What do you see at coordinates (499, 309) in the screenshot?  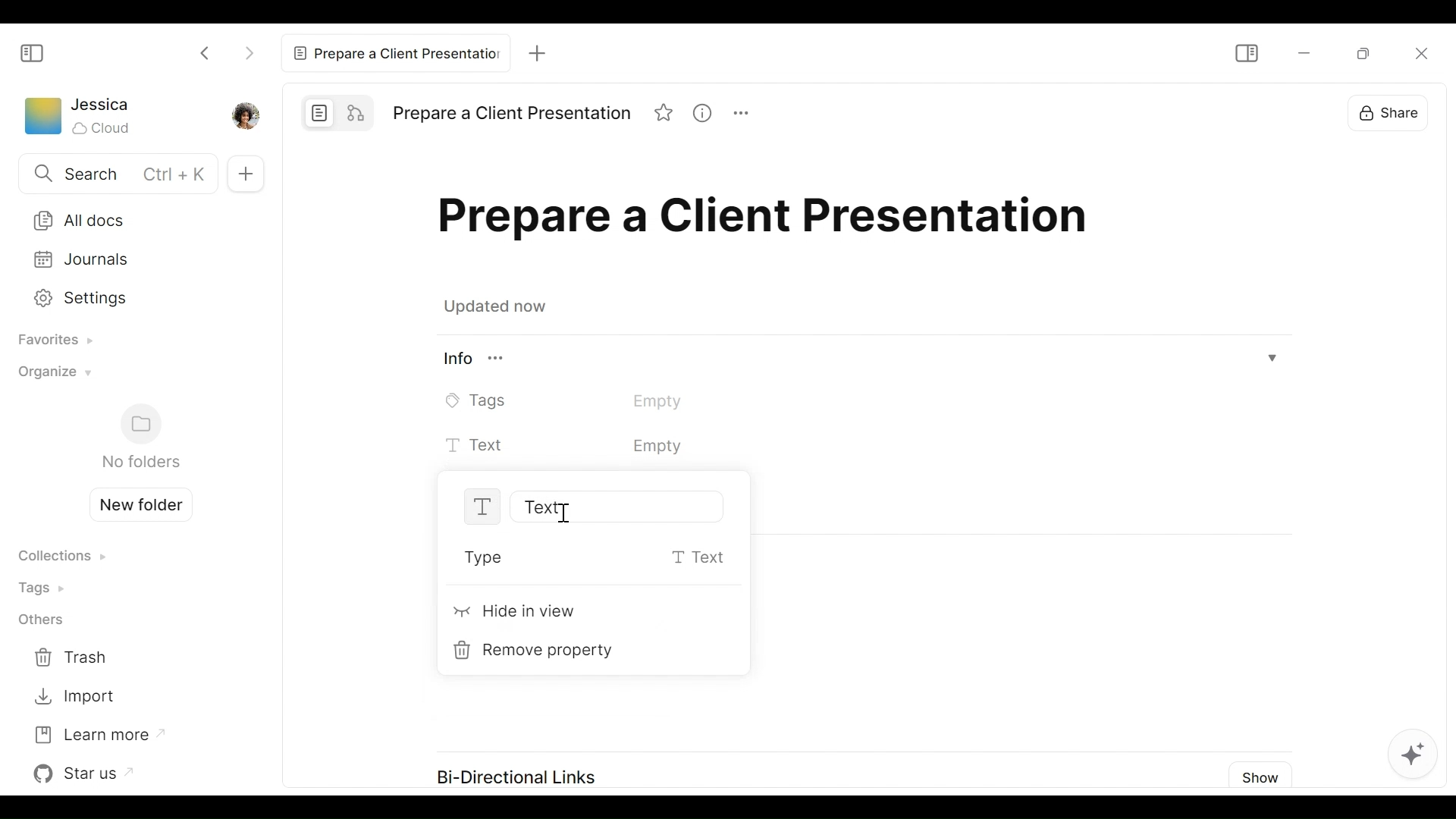 I see `Updated now` at bounding box center [499, 309].